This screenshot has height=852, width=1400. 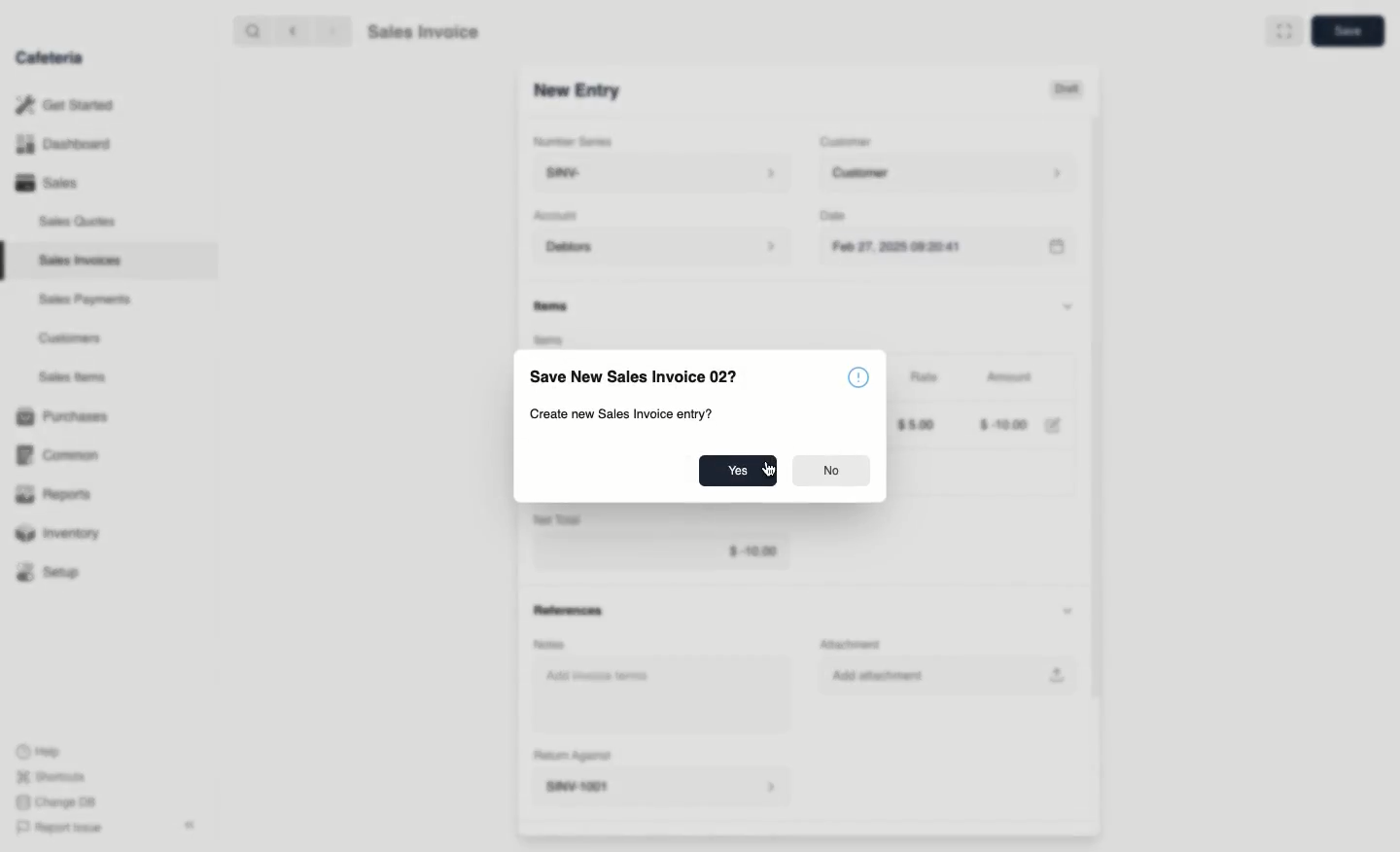 What do you see at coordinates (1284, 30) in the screenshot?
I see `Full width toggle` at bounding box center [1284, 30].